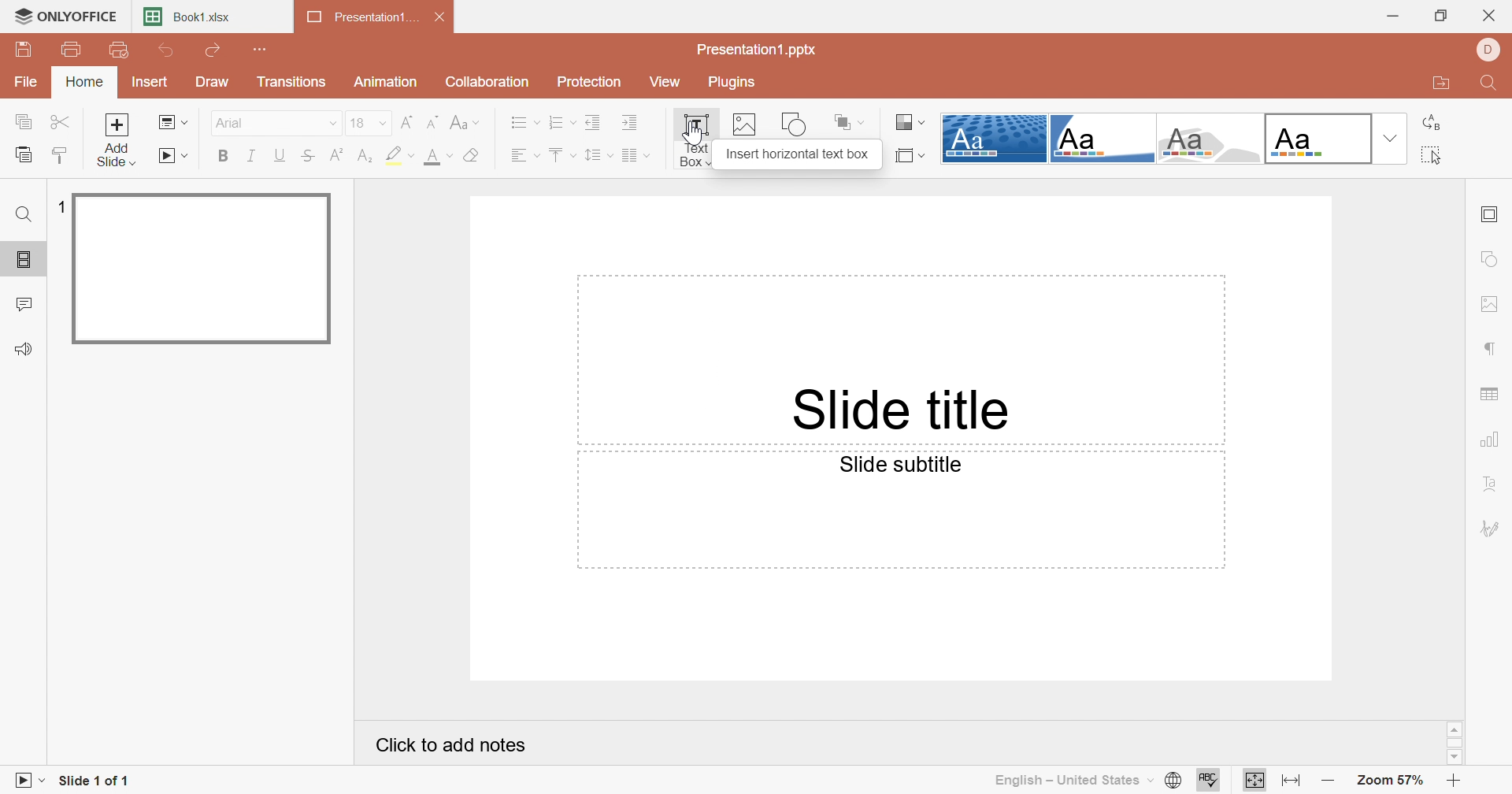  I want to click on Book1.xlsx, so click(187, 16).